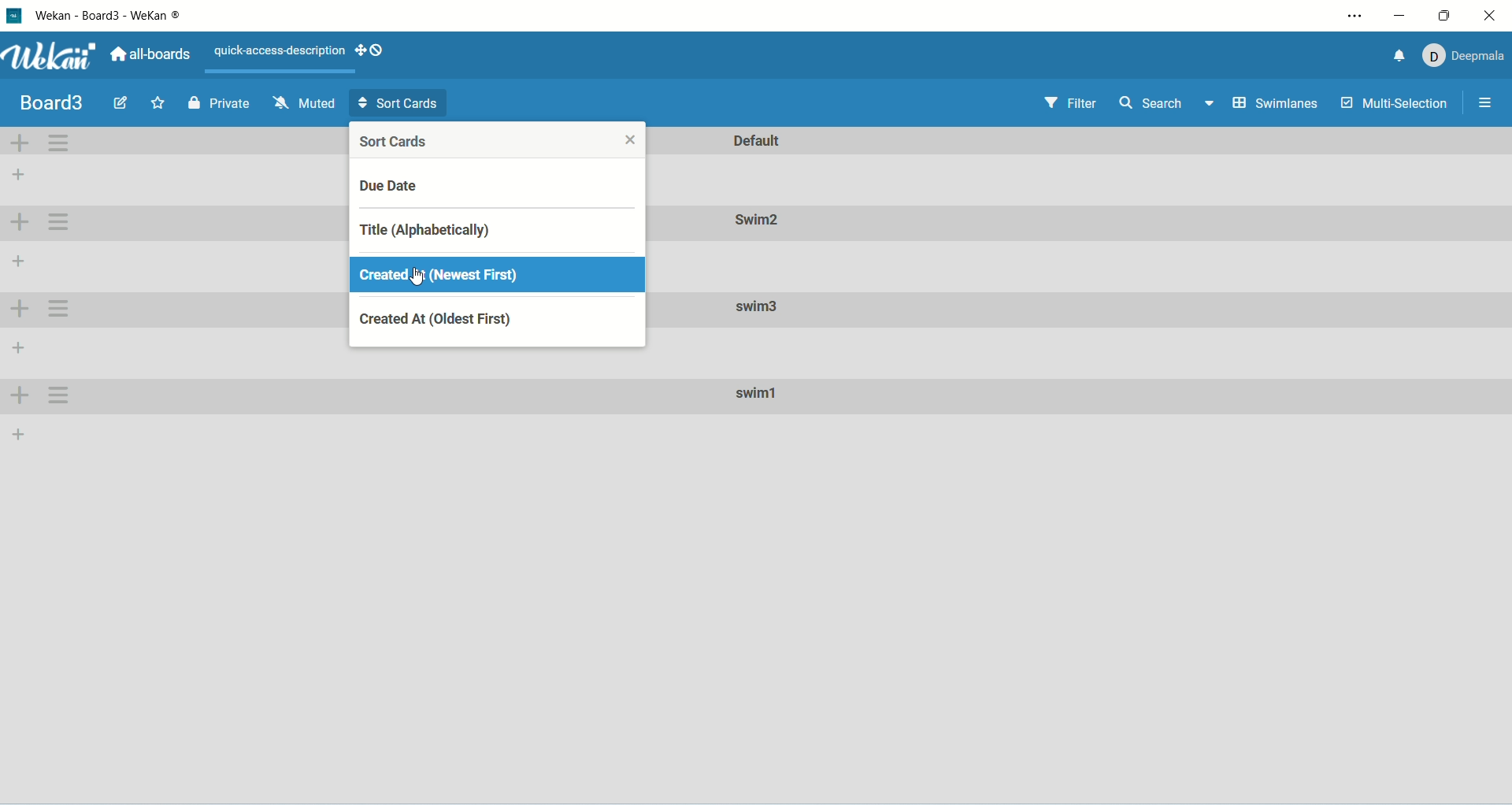  I want to click on maximize, so click(1447, 14).